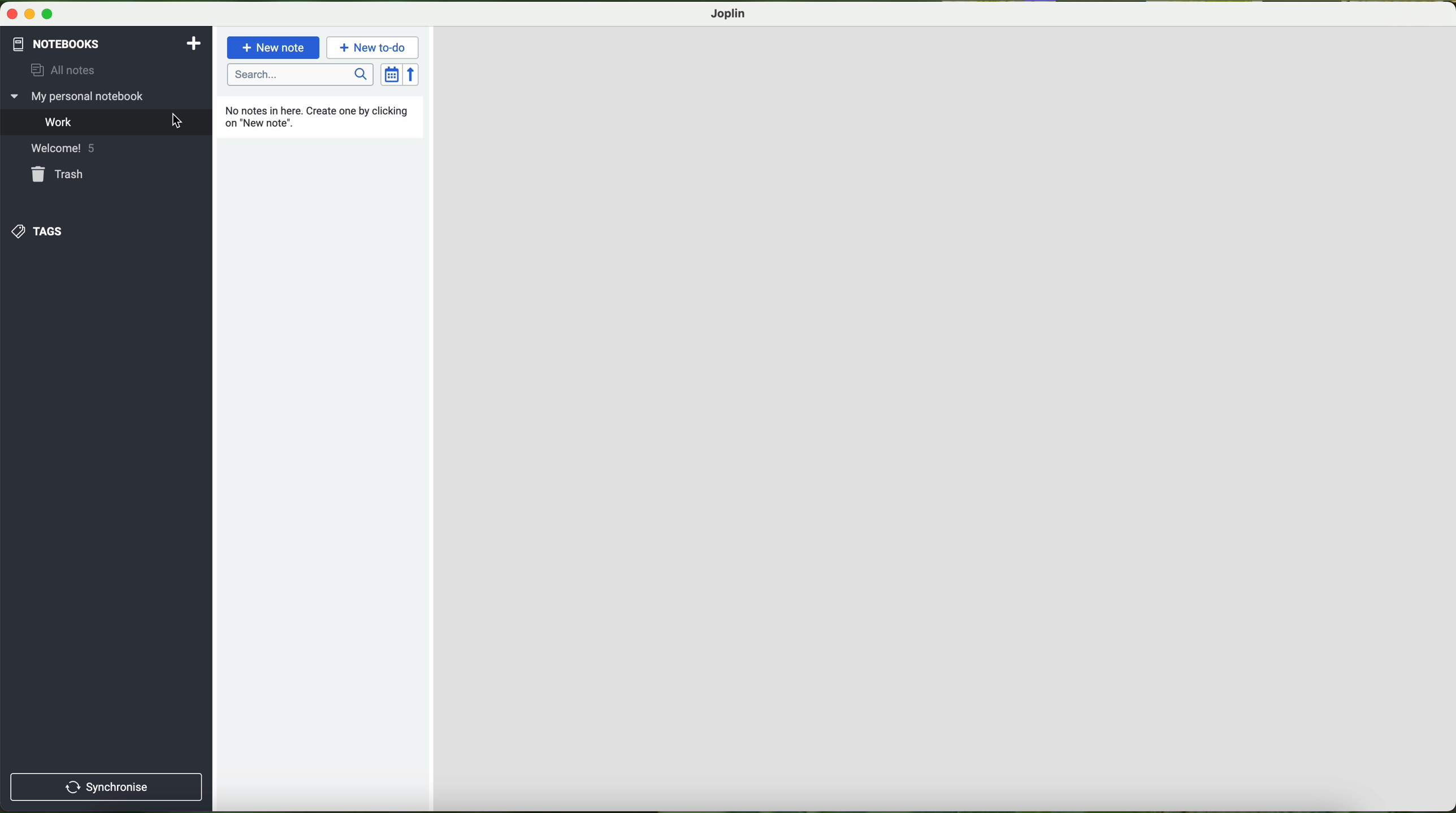 This screenshot has width=1456, height=813. What do you see at coordinates (391, 75) in the screenshot?
I see `` at bounding box center [391, 75].